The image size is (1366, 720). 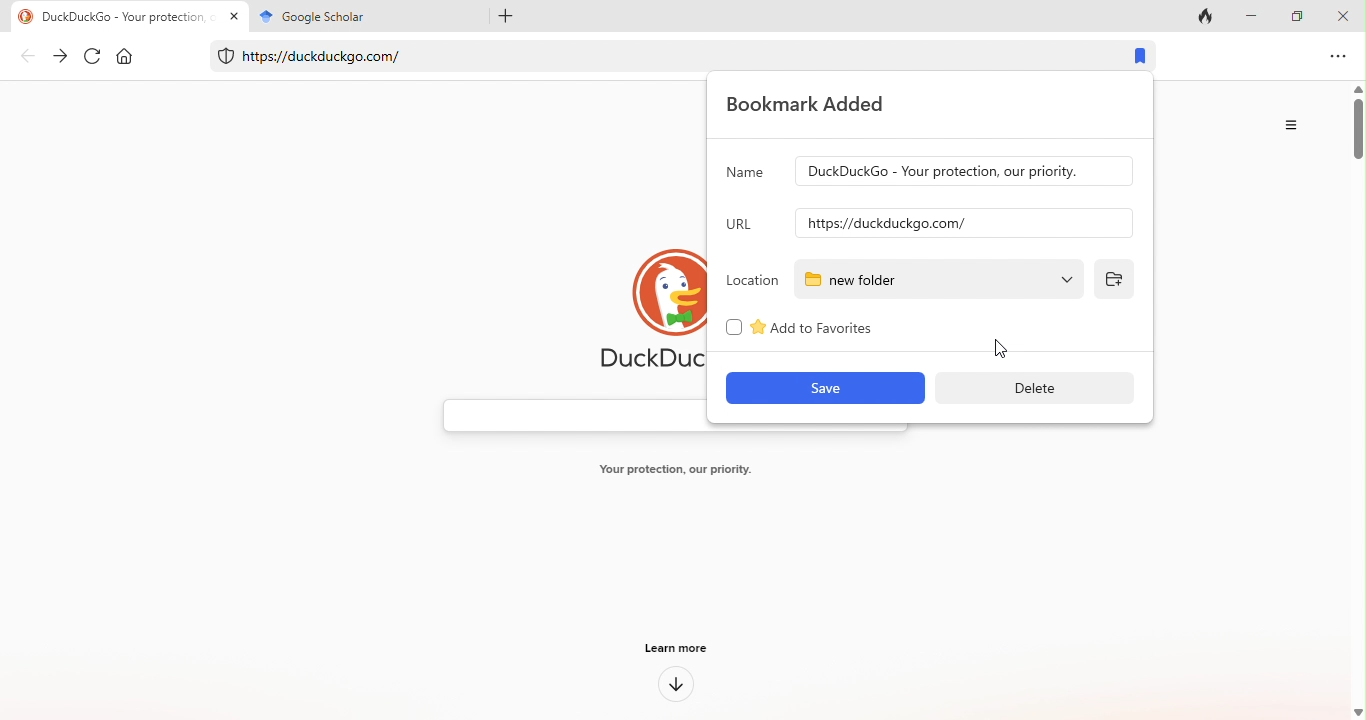 I want to click on text, so click(x=667, y=471).